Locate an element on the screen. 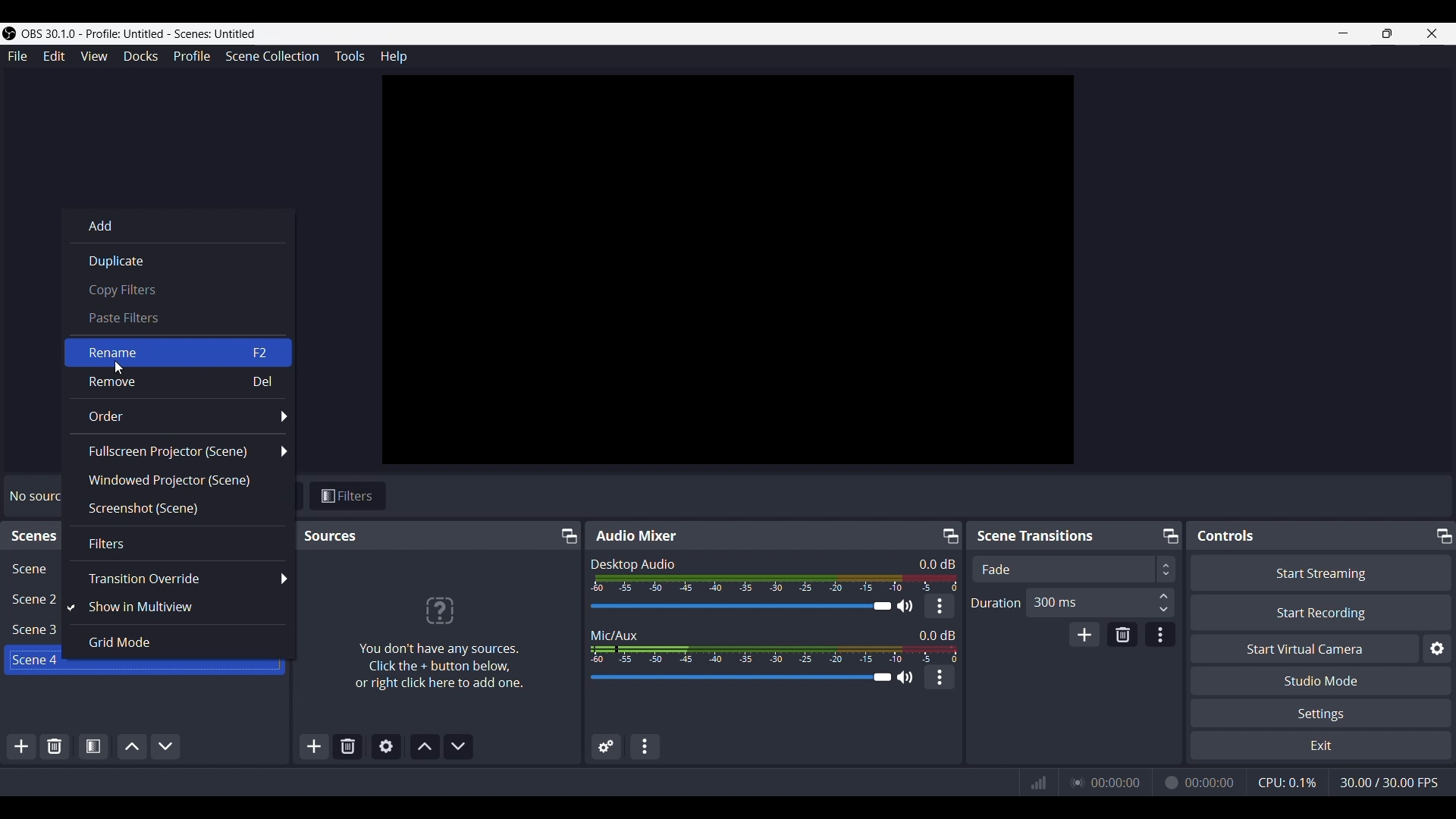 This screenshot has height=819, width=1456. minimize is located at coordinates (1342, 33).